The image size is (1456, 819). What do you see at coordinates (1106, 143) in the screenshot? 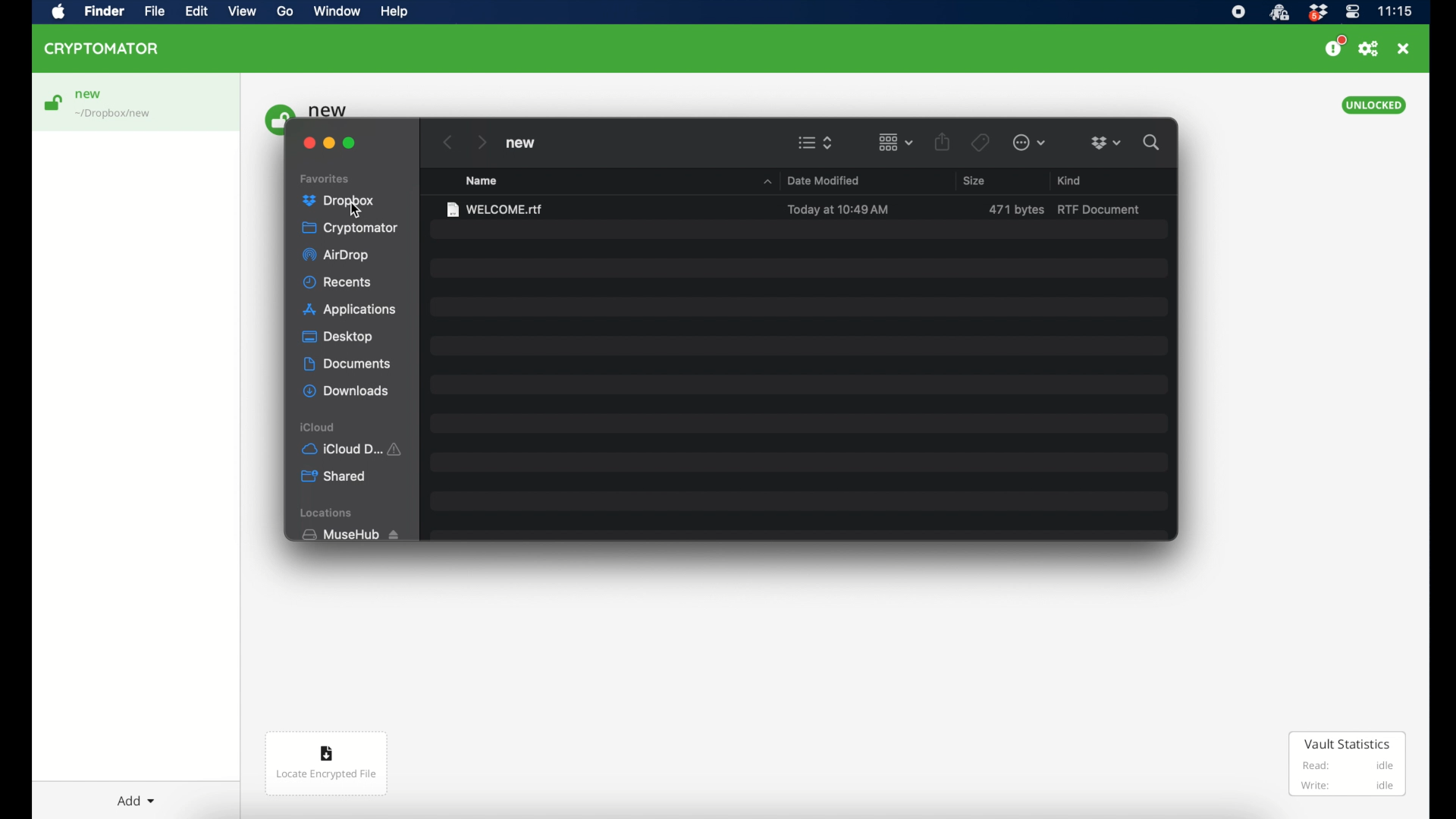
I see `dropbox` at bounding box center [1106, 143].